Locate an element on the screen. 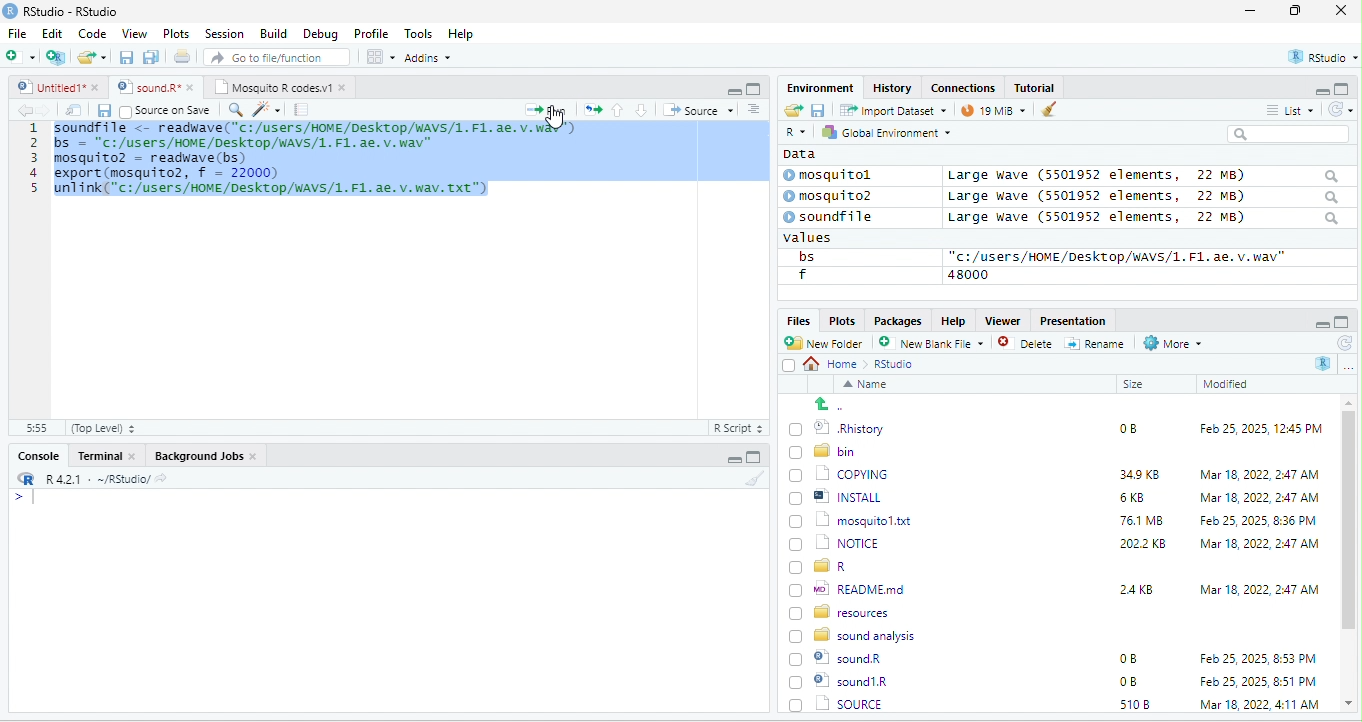 This screenshot has height=722, width=1362.  Name is located at coordinates (869, 386).